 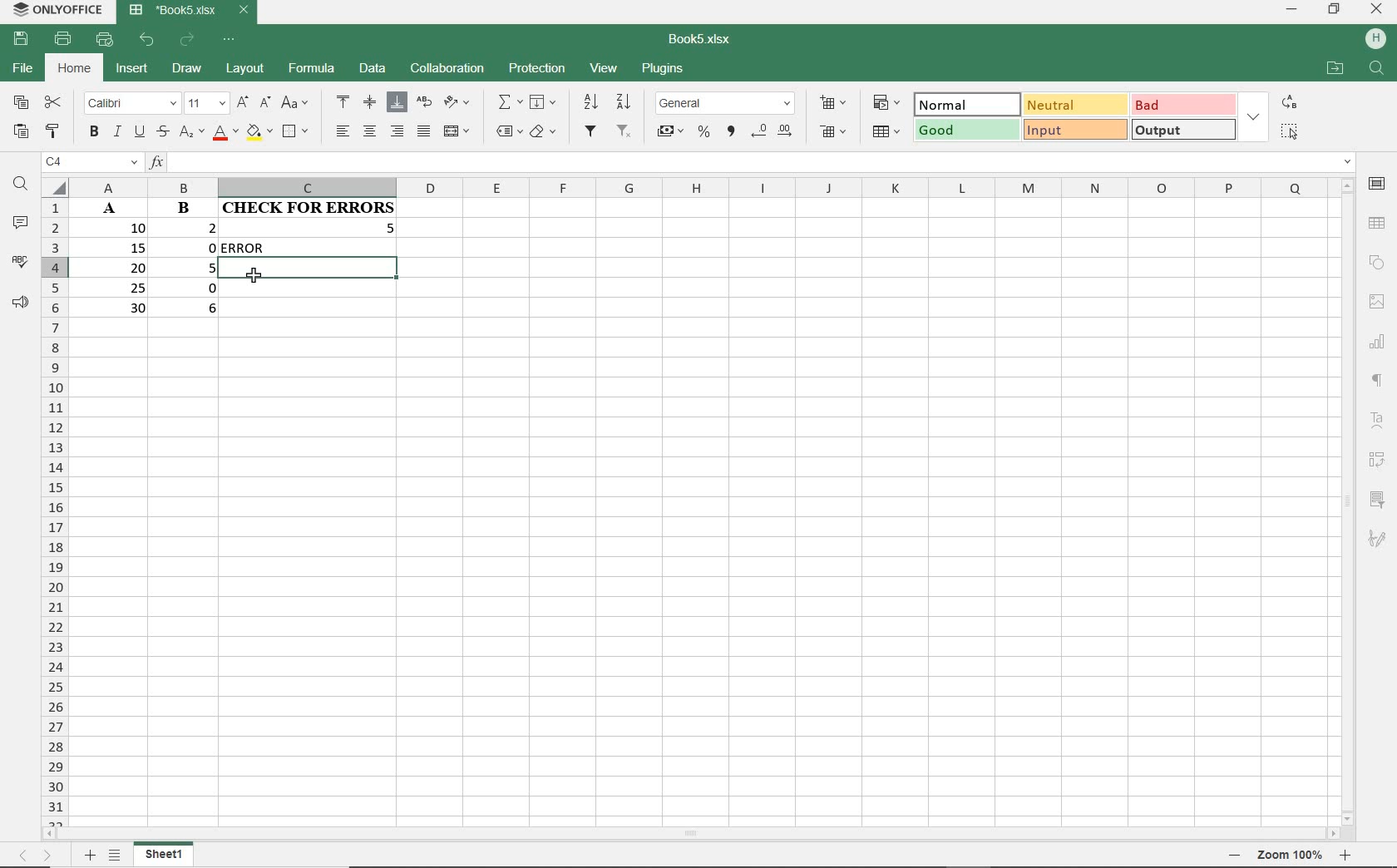 I want to click on REDO, so click(x=188, y=40).